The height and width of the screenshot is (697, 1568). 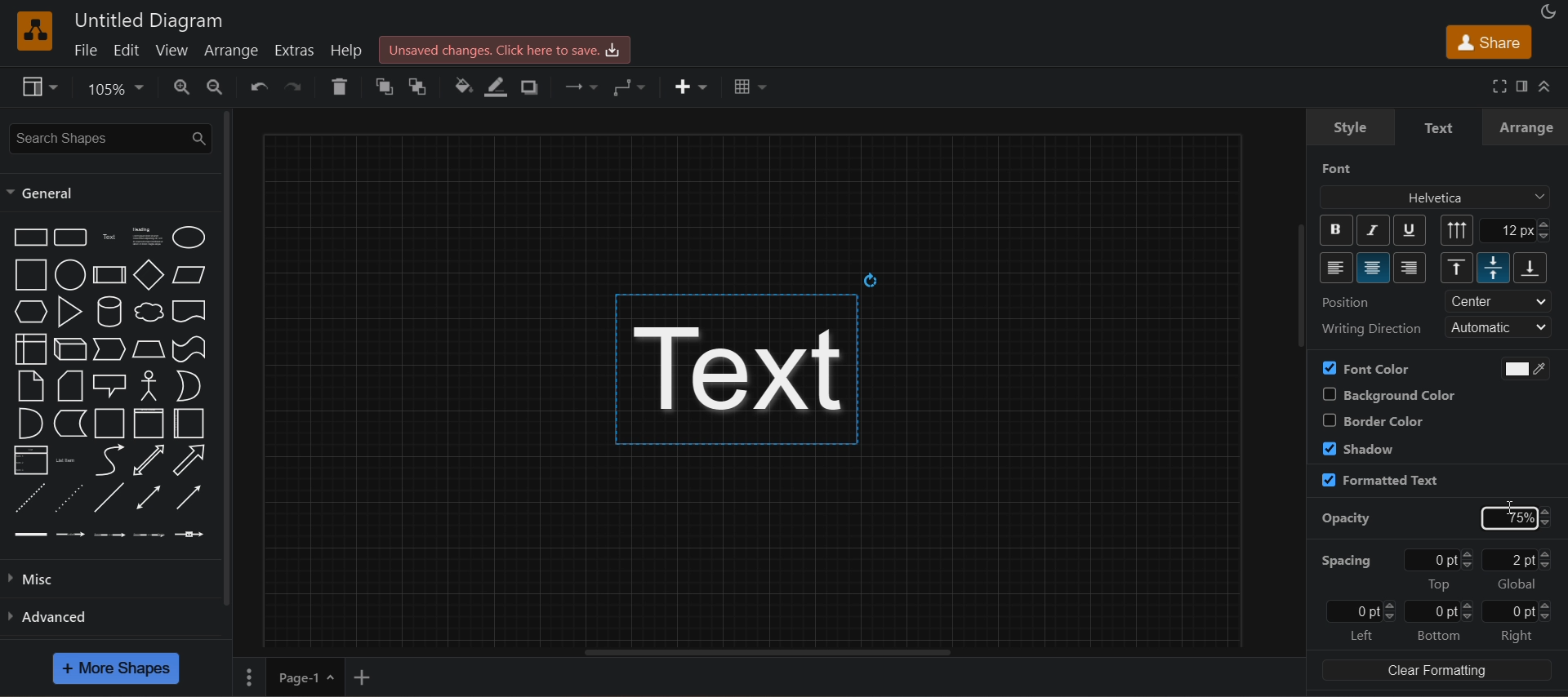 What do you see at coordinates (632, 87) in the screenshot?
I see `waypoints` at bounding box center [632, 87].